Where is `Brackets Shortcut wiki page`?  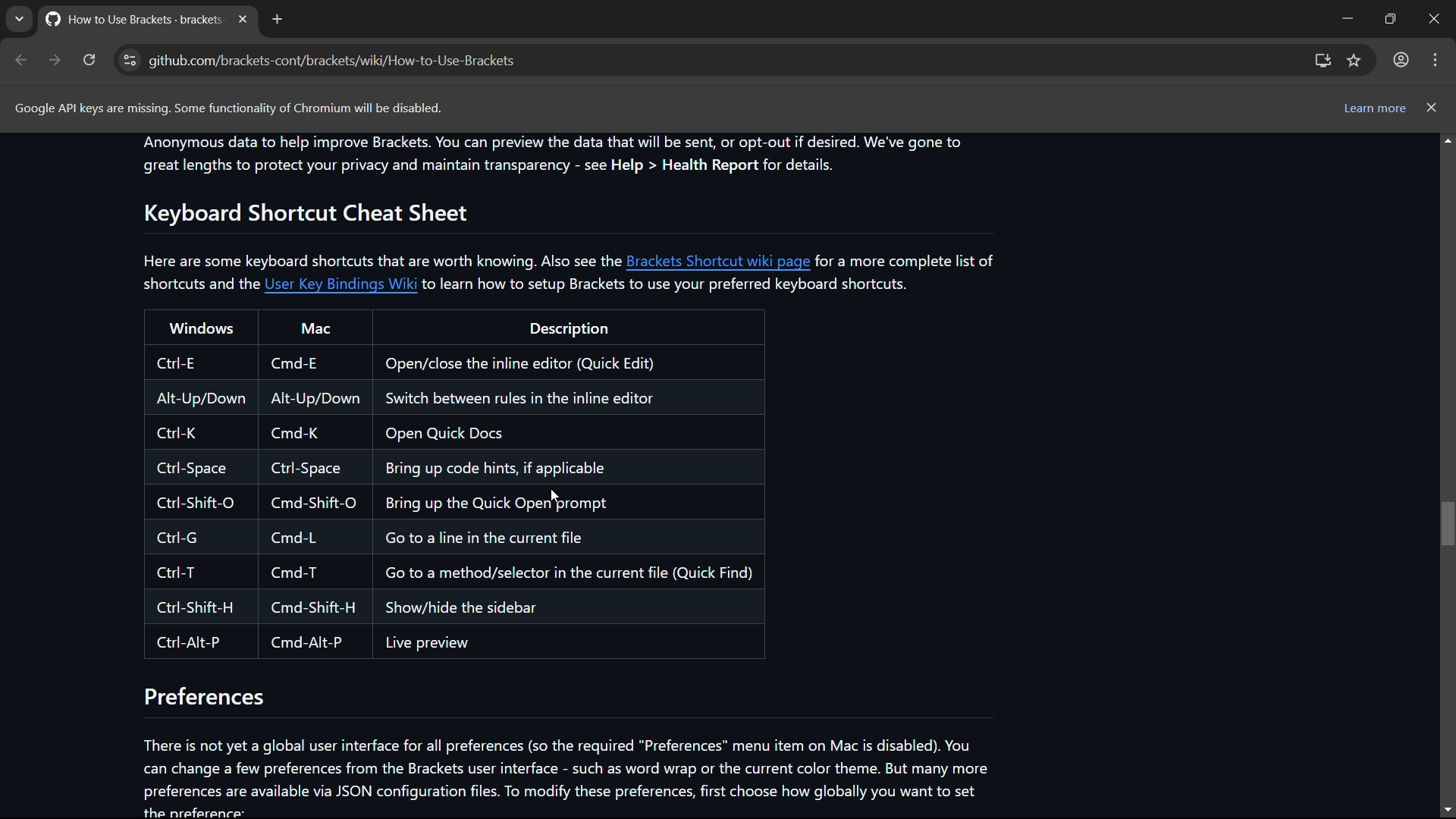 Brackets Shortcut wiki page is located at coordinates (720, 261).